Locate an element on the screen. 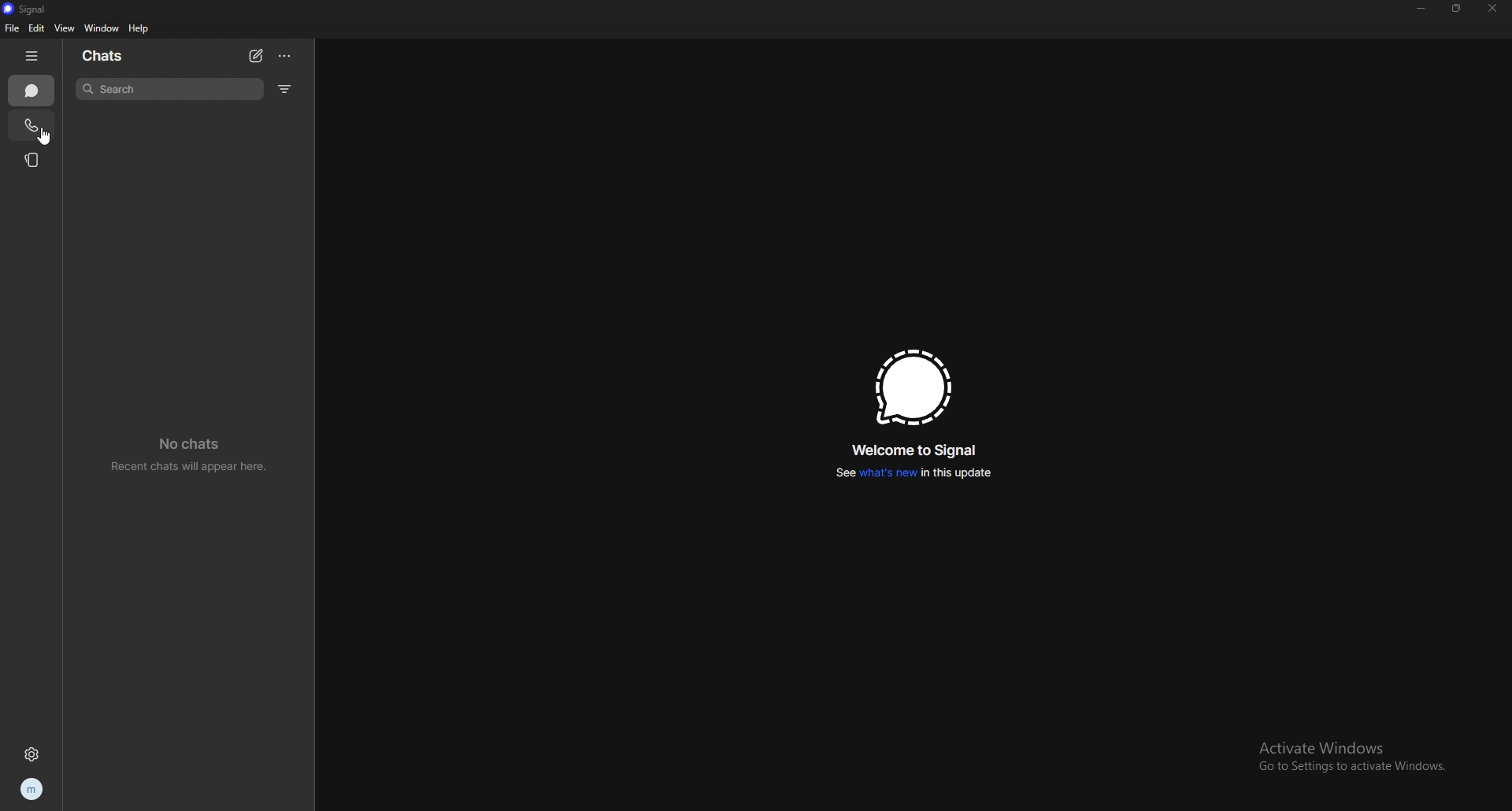 This screenshot has width=1512, height=811. settings is located at coordinates (31, 755).